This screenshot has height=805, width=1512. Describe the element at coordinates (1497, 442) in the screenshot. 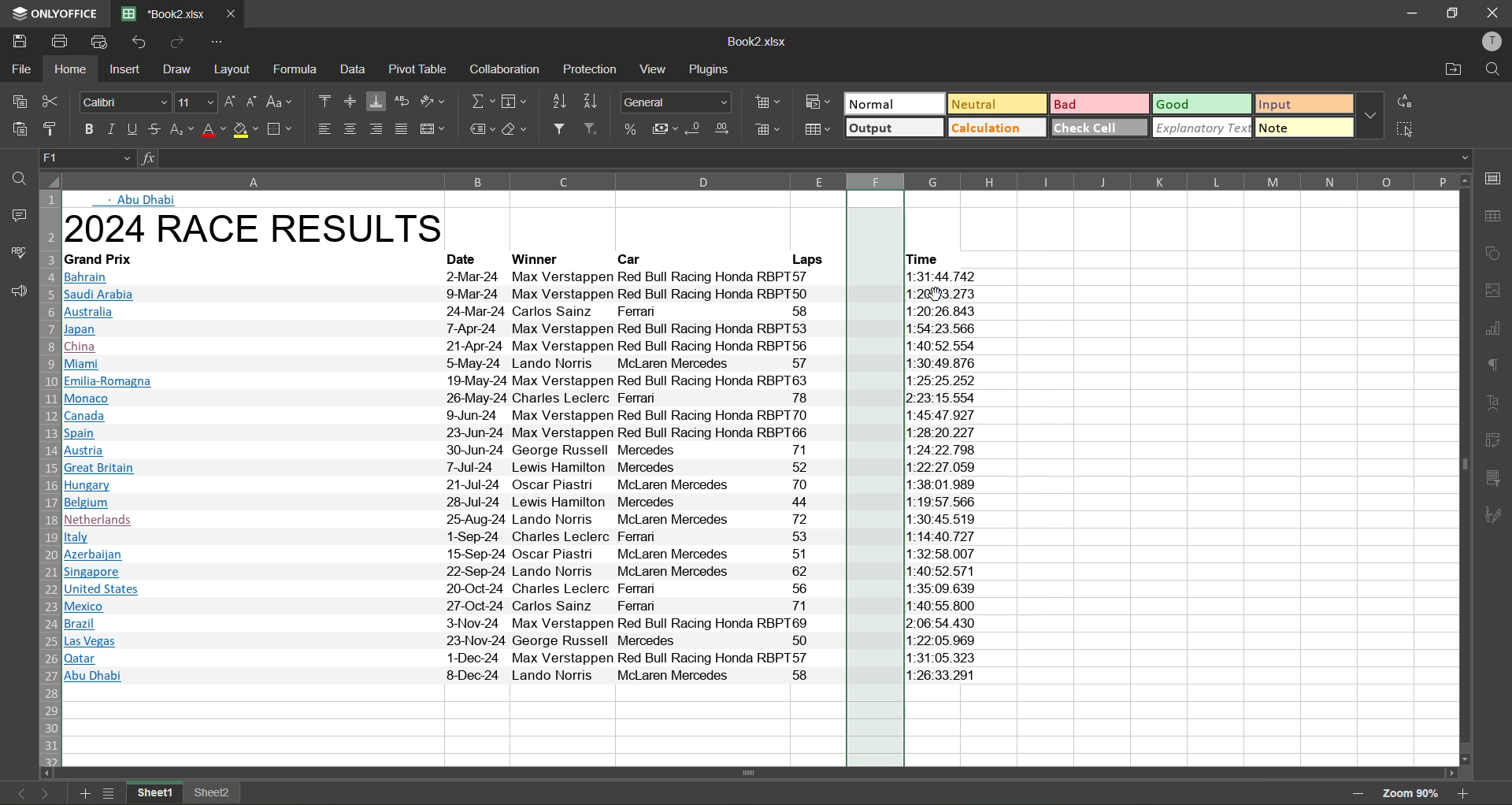

I see `pivot table` at that location.